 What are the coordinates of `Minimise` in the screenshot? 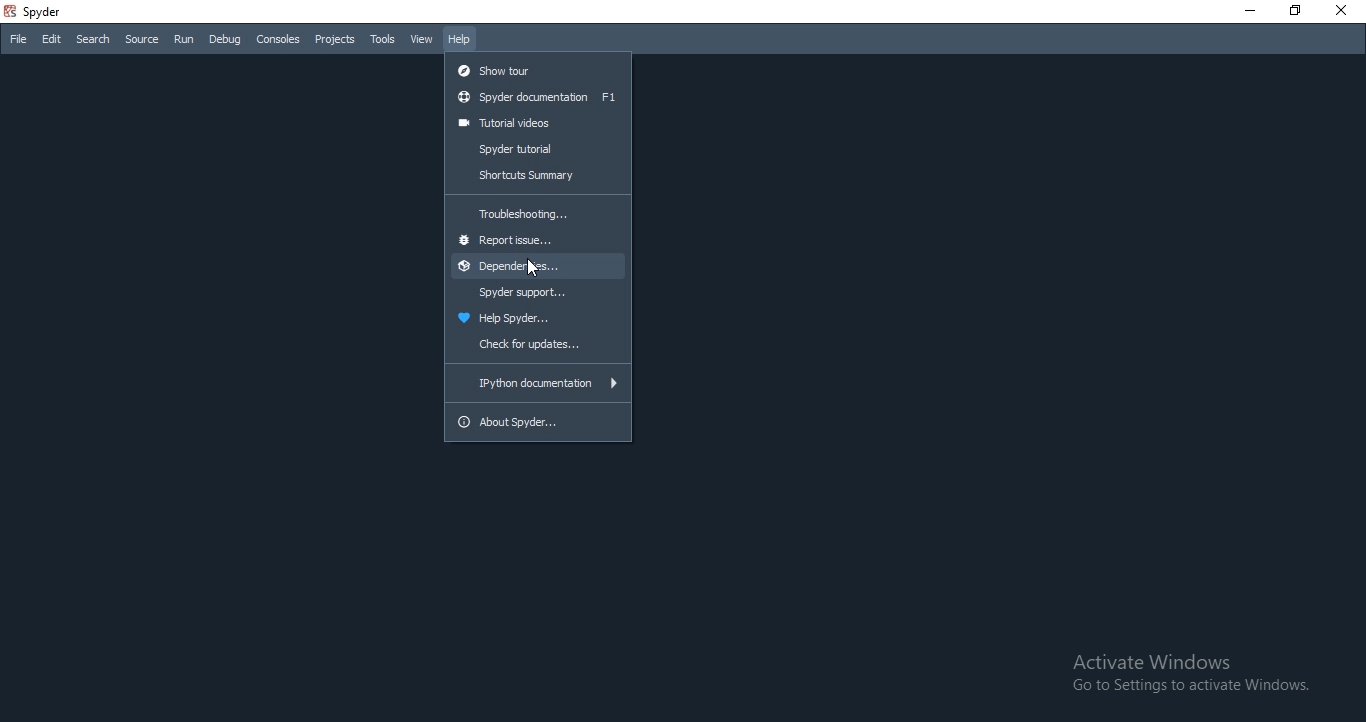 It's located at (1247, 13).